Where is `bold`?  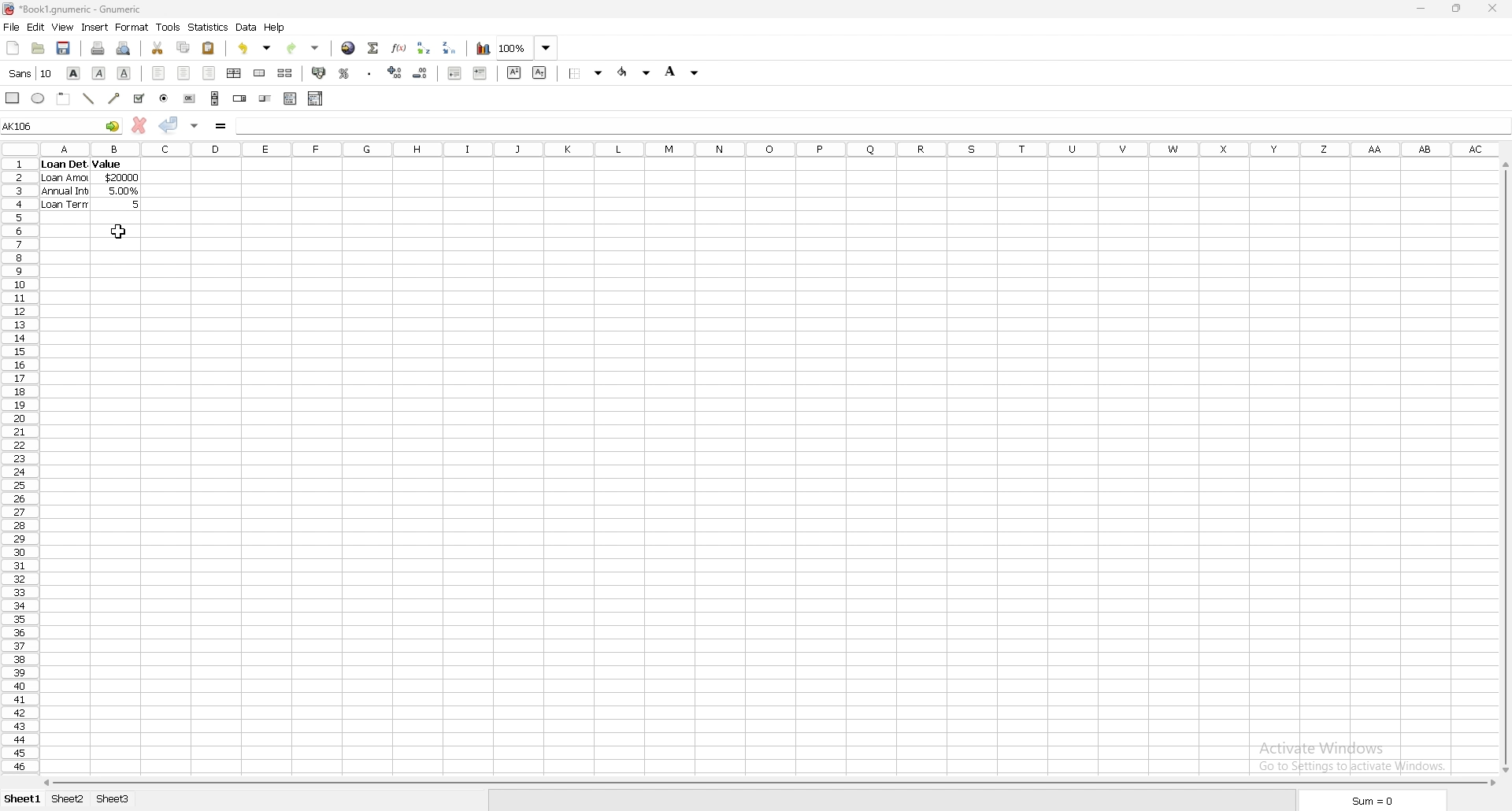
bold is located at coordinates (73, 72).